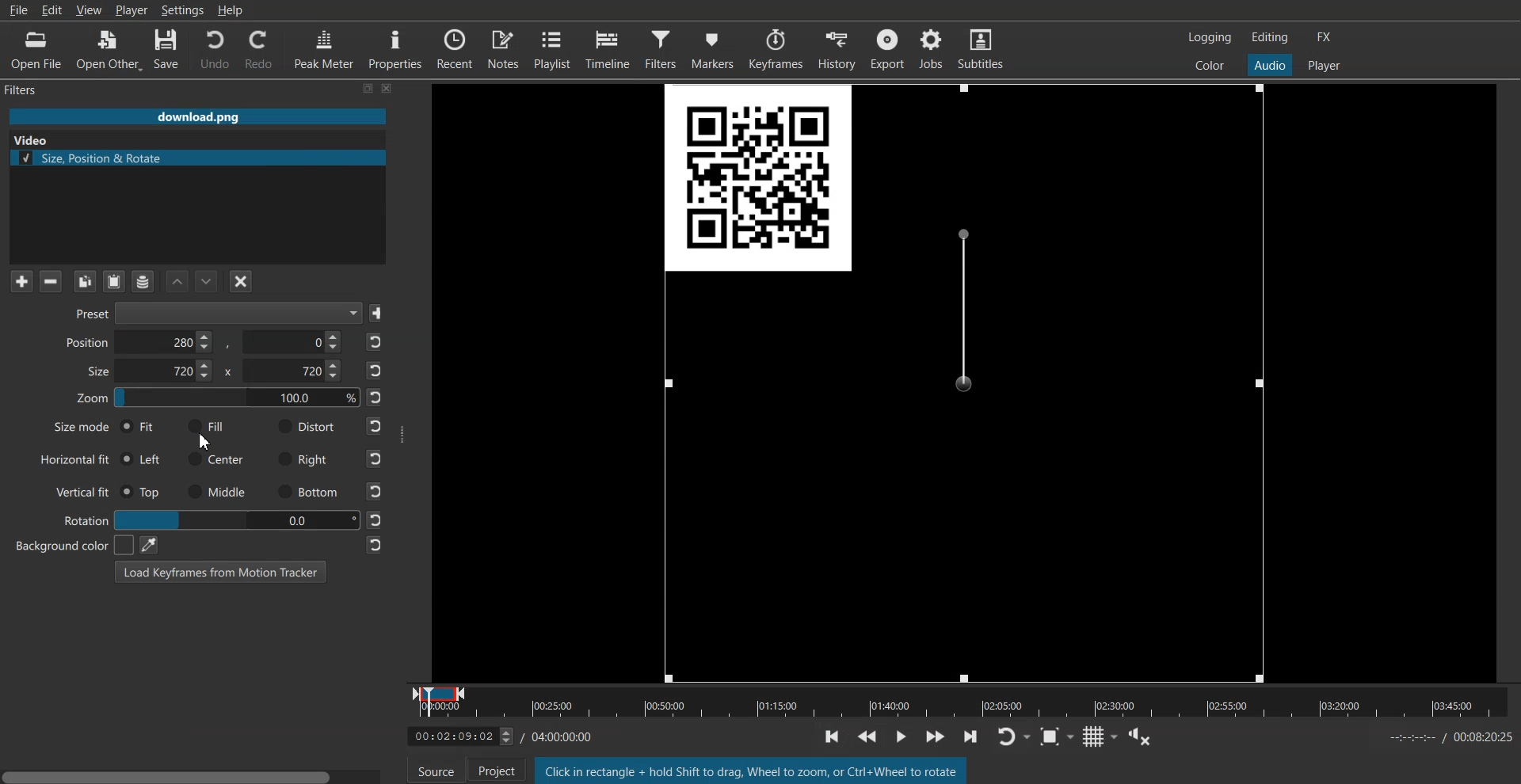 Image resolution: width=1521 pixels, height=784 pixels. I want to click on Properties, so click(395, 49).